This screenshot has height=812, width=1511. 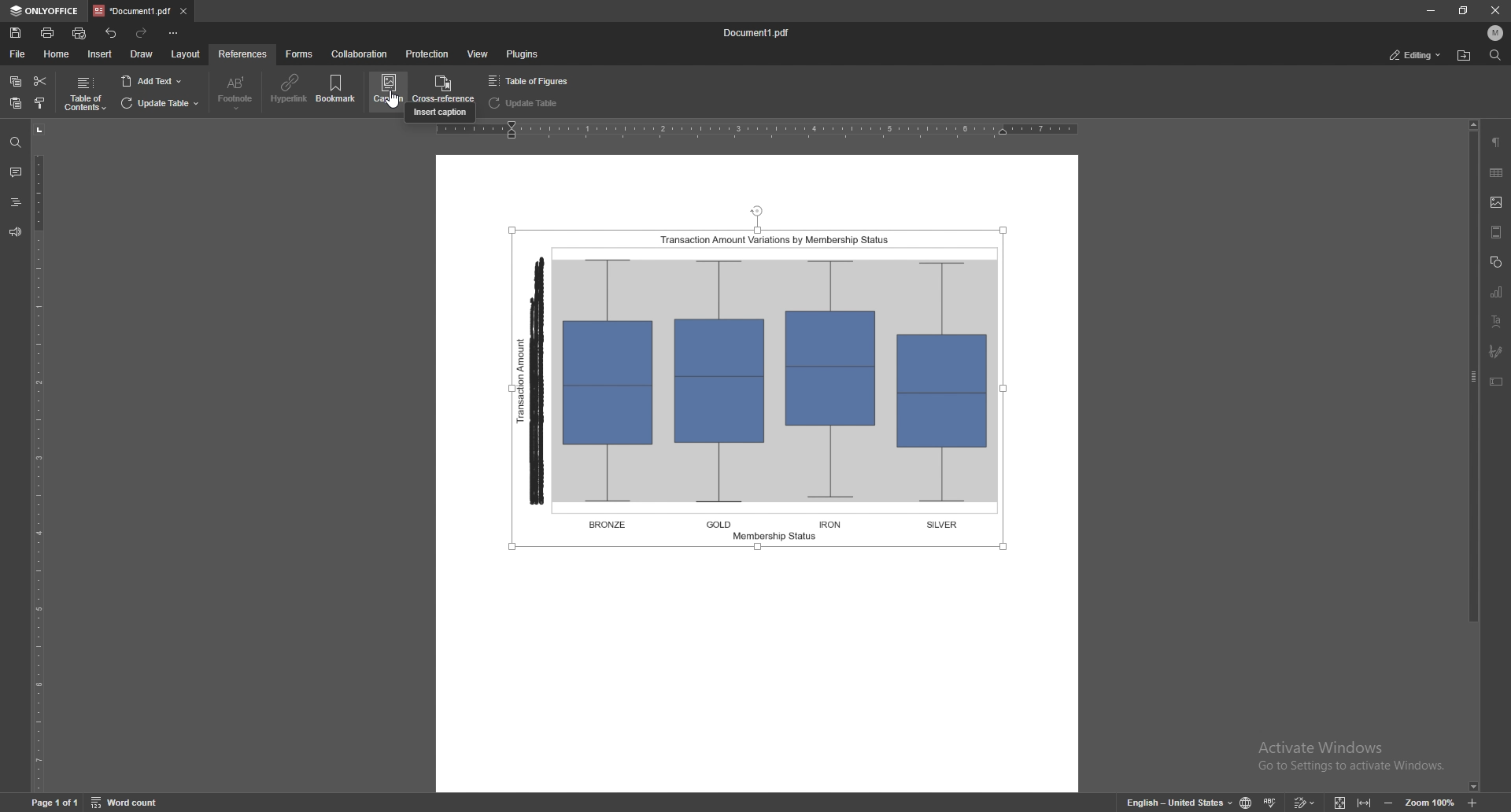 I want to click on paragraph, so click(x=1496, y=142).